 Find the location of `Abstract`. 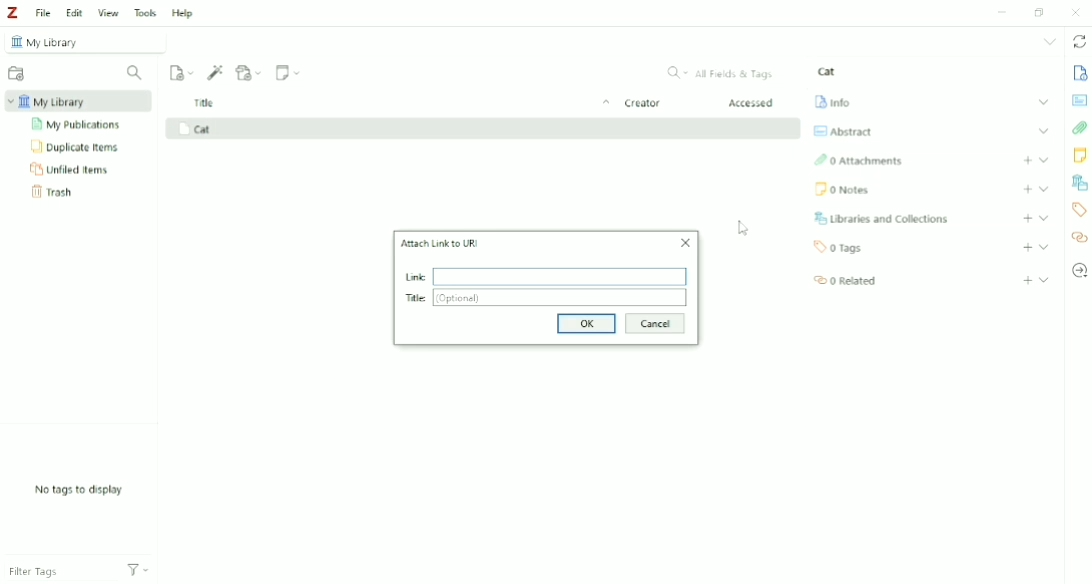

Abstract is located at coordinates (841, 131).